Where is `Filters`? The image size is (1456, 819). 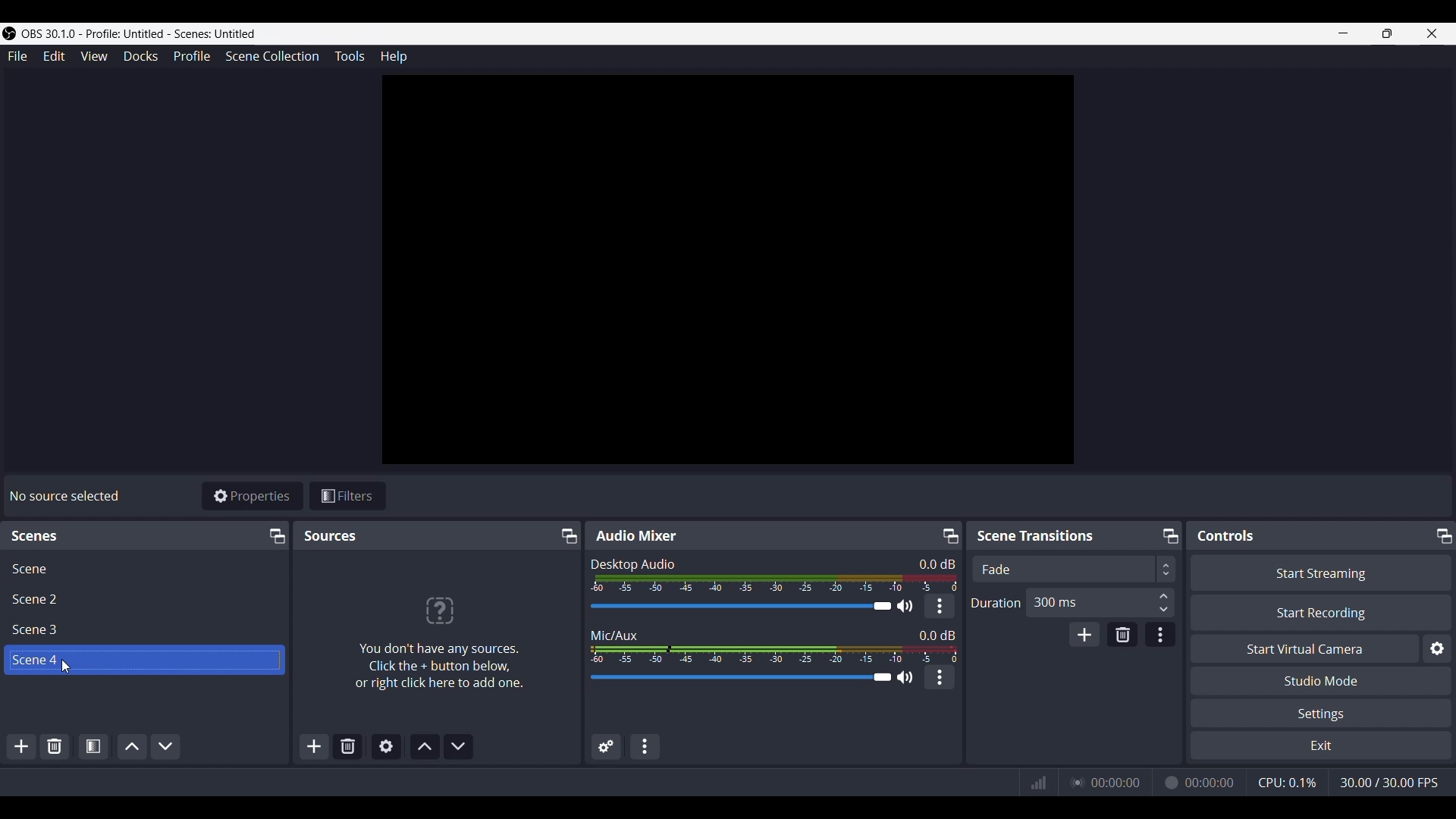 Filters is located at coordinates (348, 495).